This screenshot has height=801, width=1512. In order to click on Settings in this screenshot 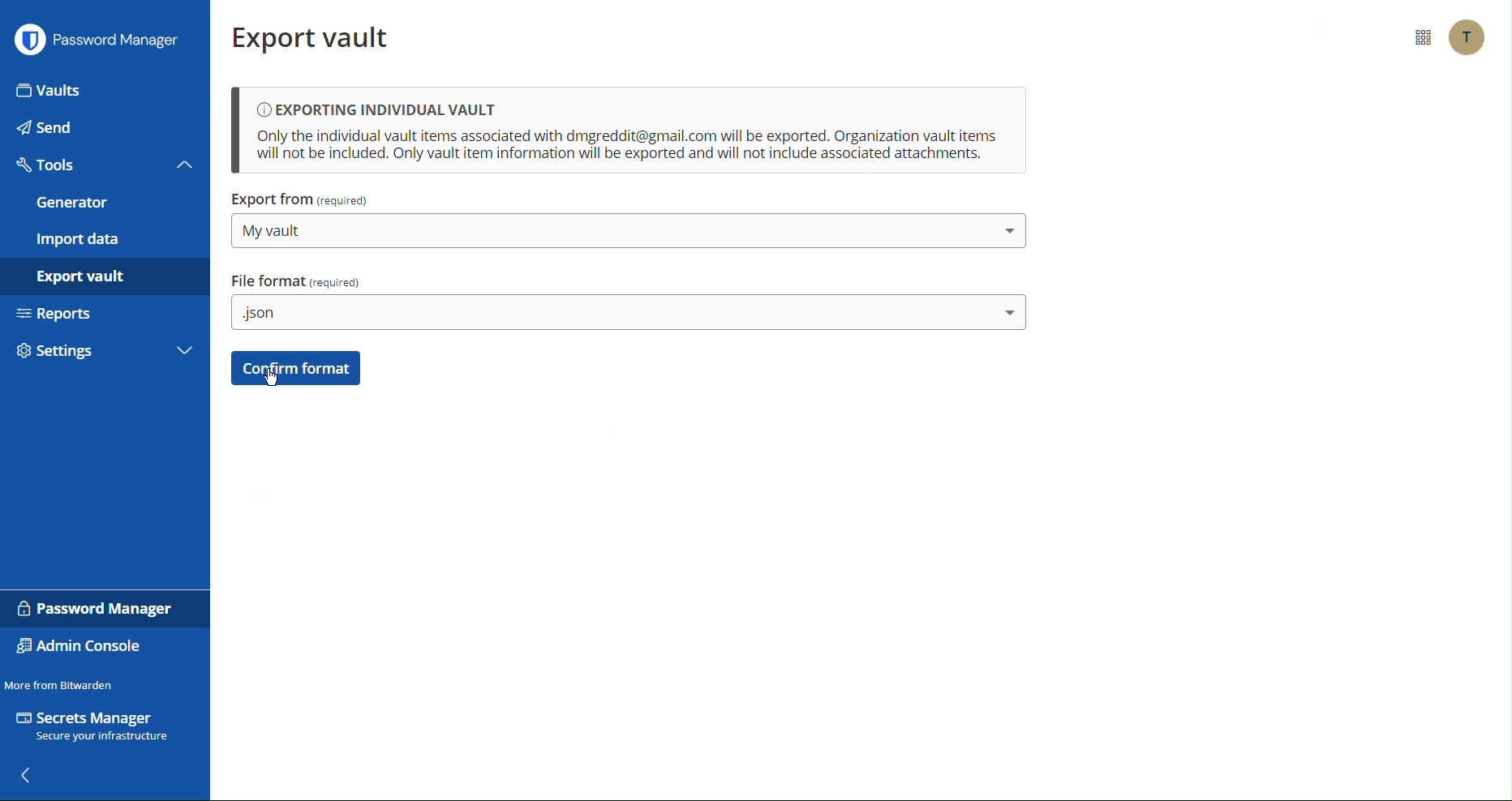, I will do `click(76, 348)`.